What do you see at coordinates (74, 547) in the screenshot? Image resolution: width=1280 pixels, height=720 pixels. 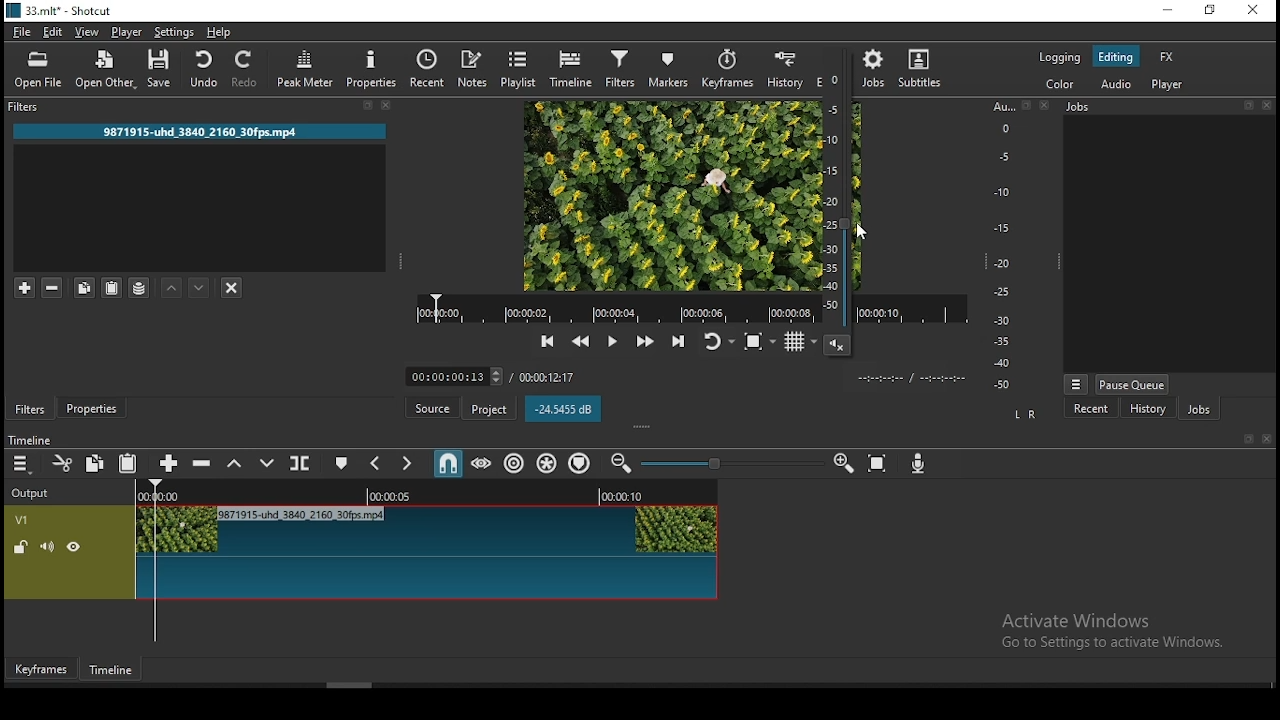 I see `hide` at bounding box center [74, 547].